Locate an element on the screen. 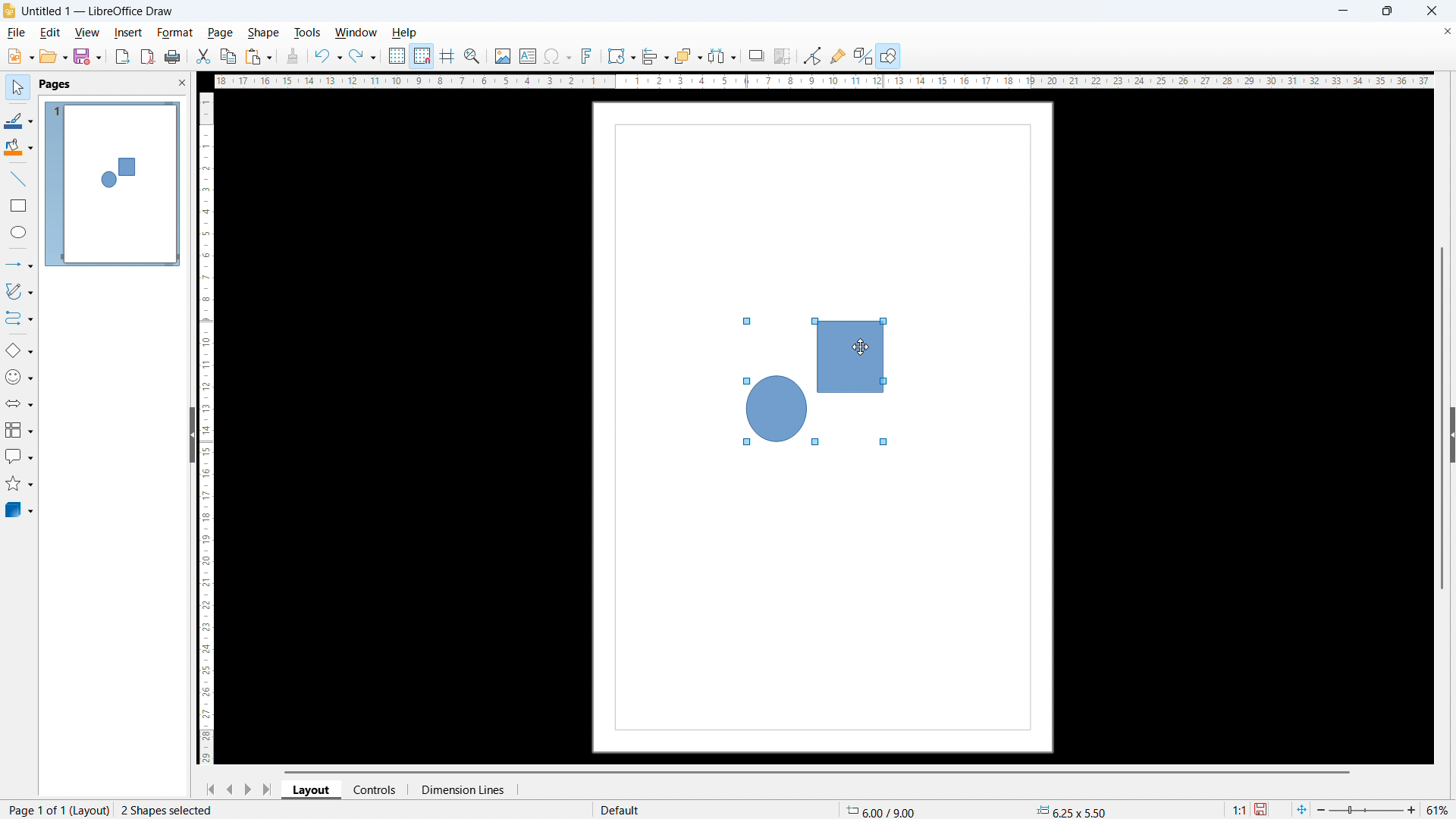 This screenshot has width=1456, height=819. lines & arrows is located at coordinates (22, 265).